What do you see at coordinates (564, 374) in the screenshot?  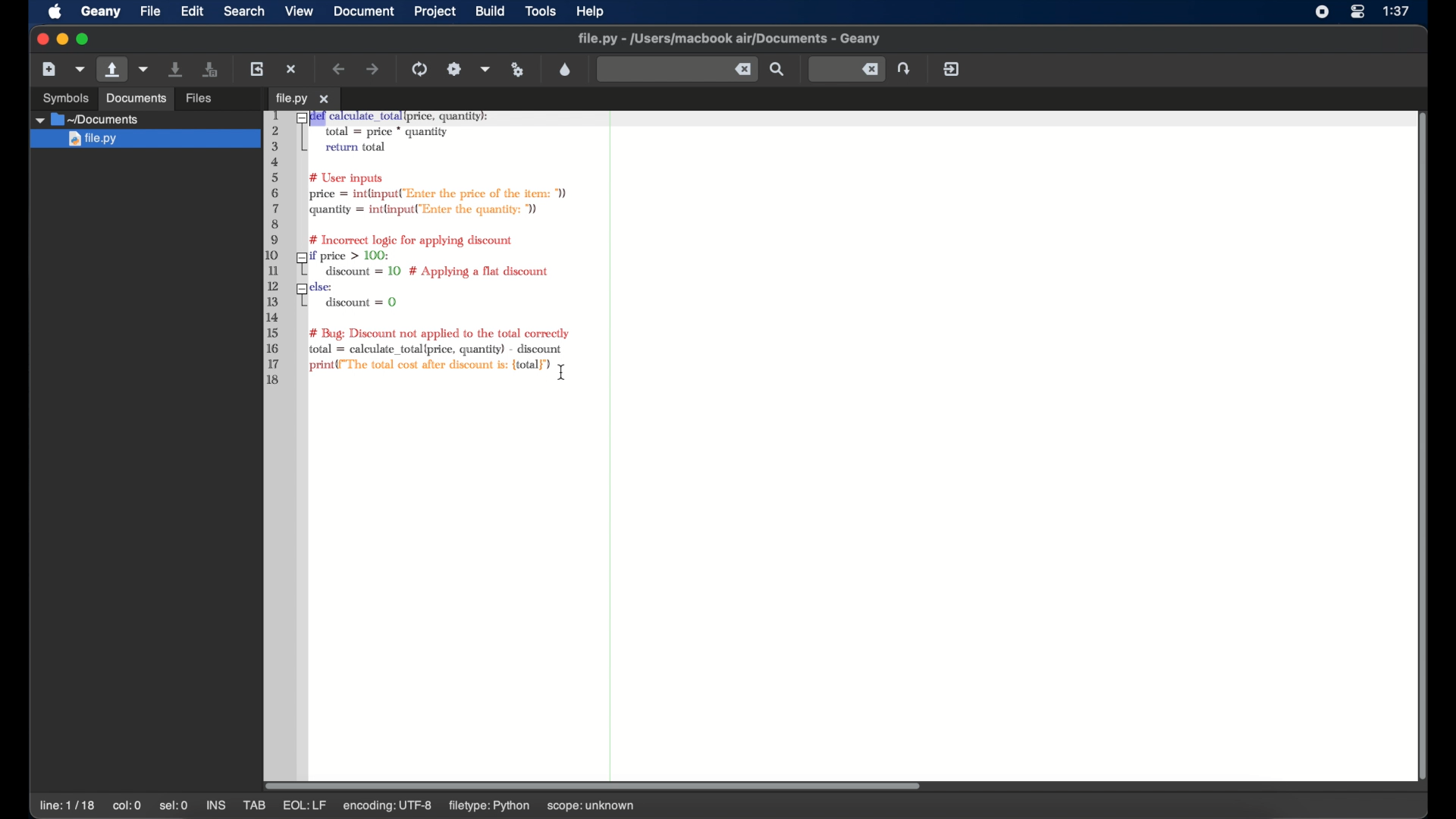 I see `cursor` at bounding box center [564, 374].